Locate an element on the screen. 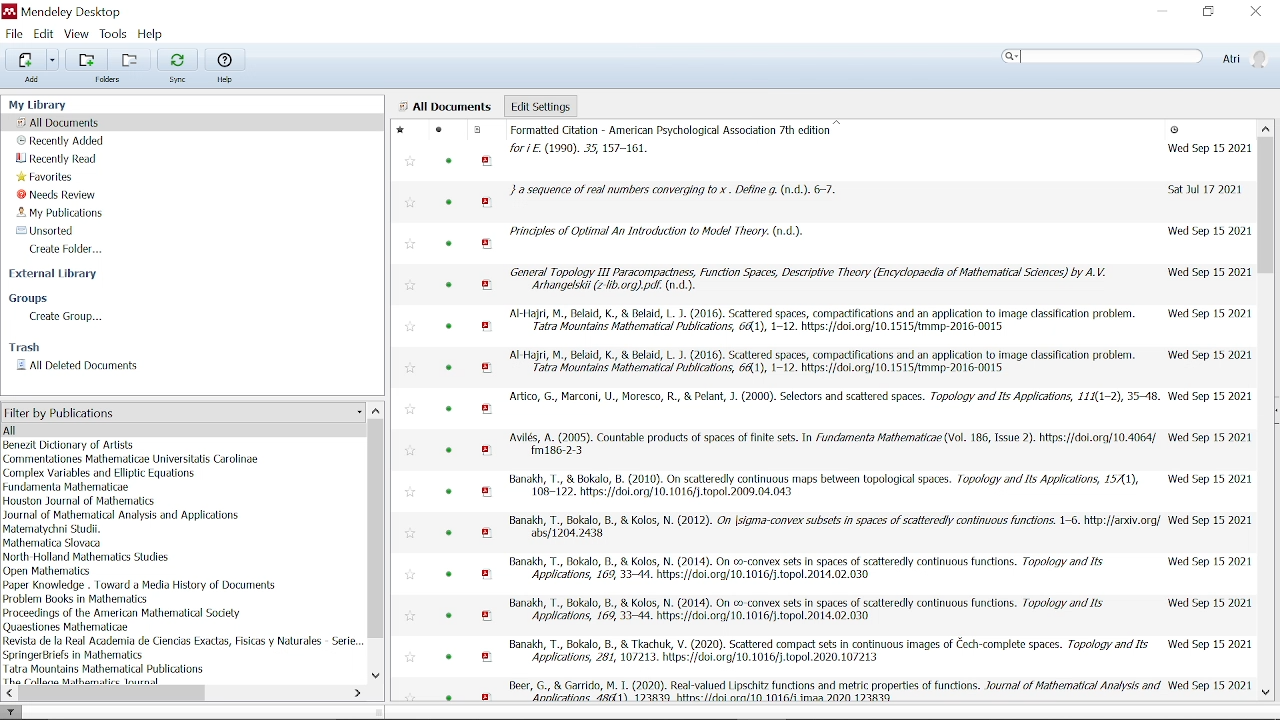 The height and width of the screenshot is (720, 1280). favourite is located at coordinates (408, 694).